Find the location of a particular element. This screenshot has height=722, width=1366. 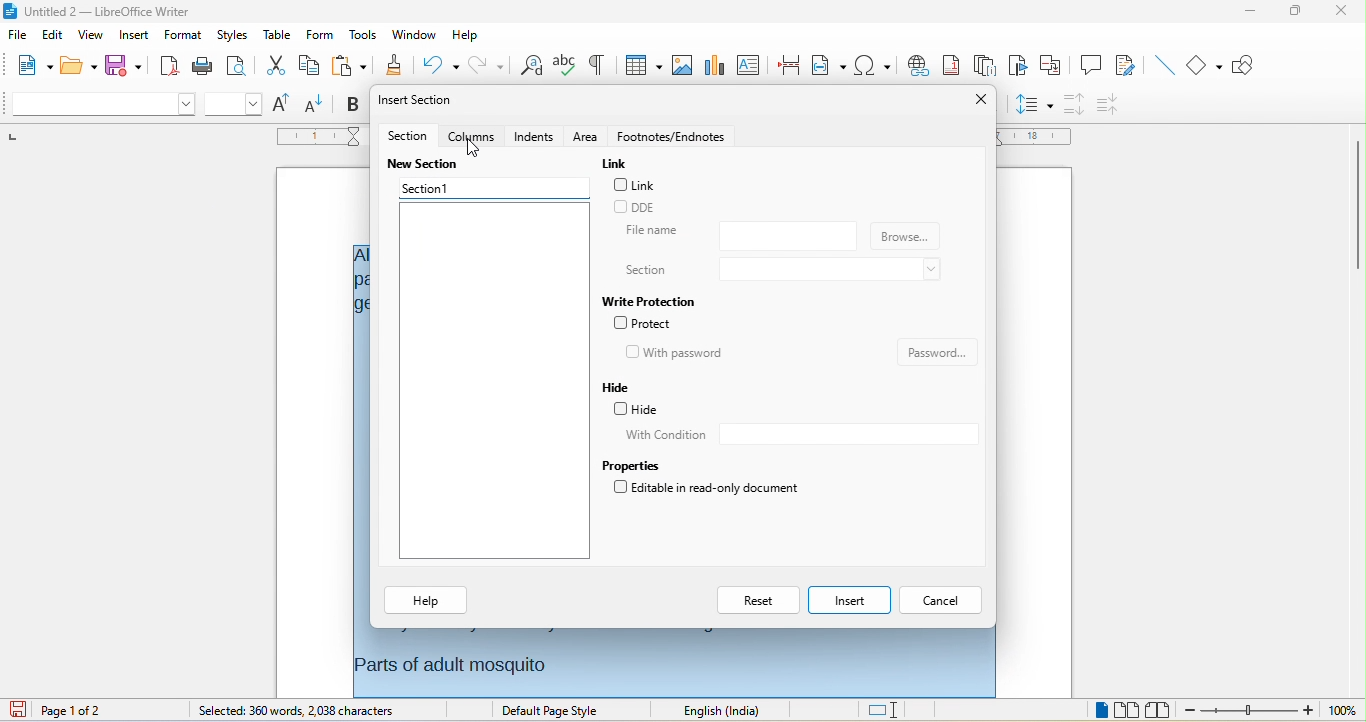

edit is located at coordinates (52, 35).